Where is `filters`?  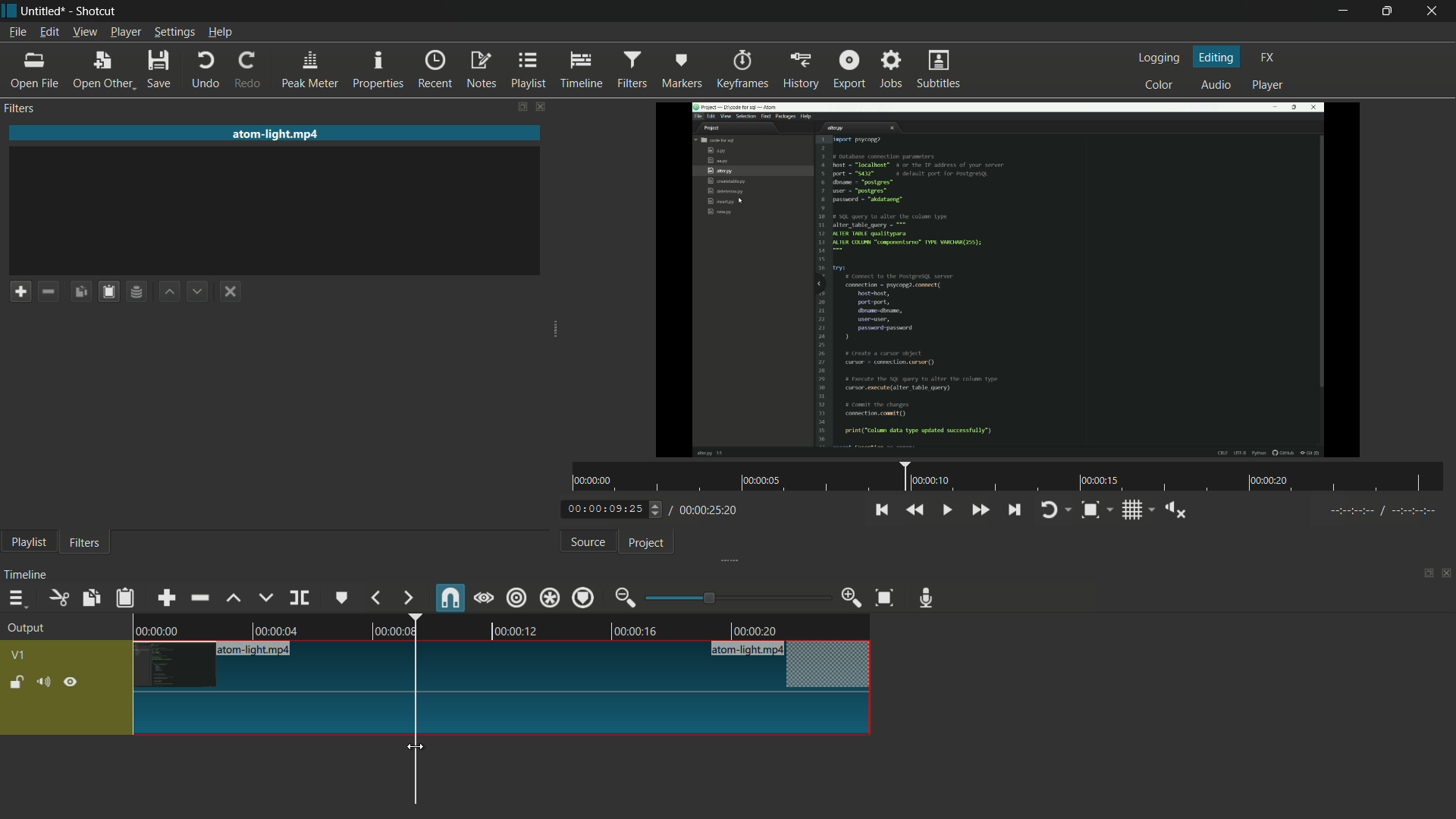 filters is located at coordinates (635, 70).